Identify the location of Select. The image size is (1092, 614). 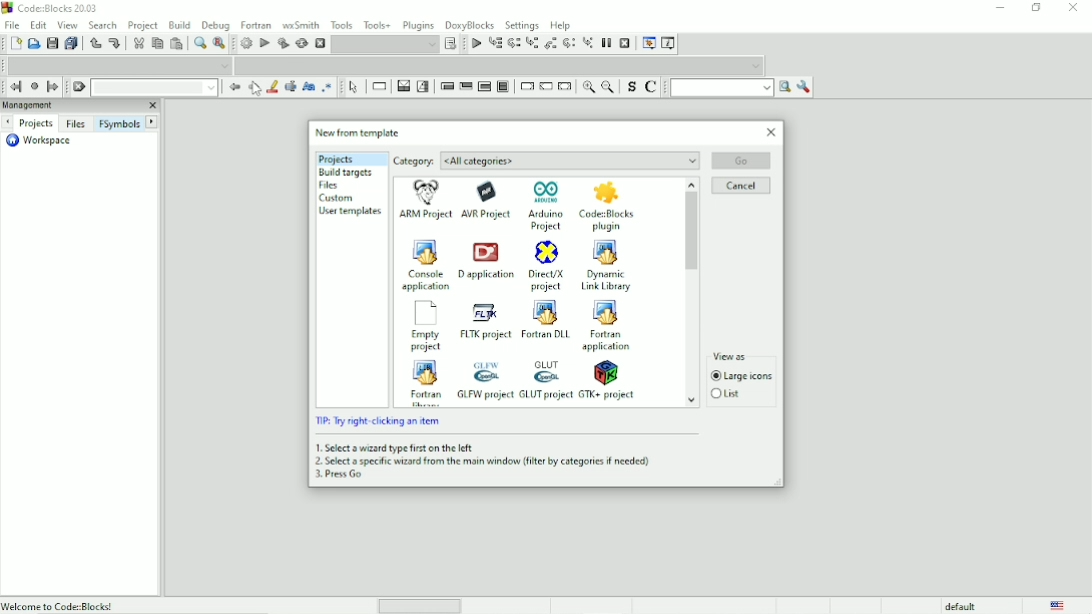
(355, 87).